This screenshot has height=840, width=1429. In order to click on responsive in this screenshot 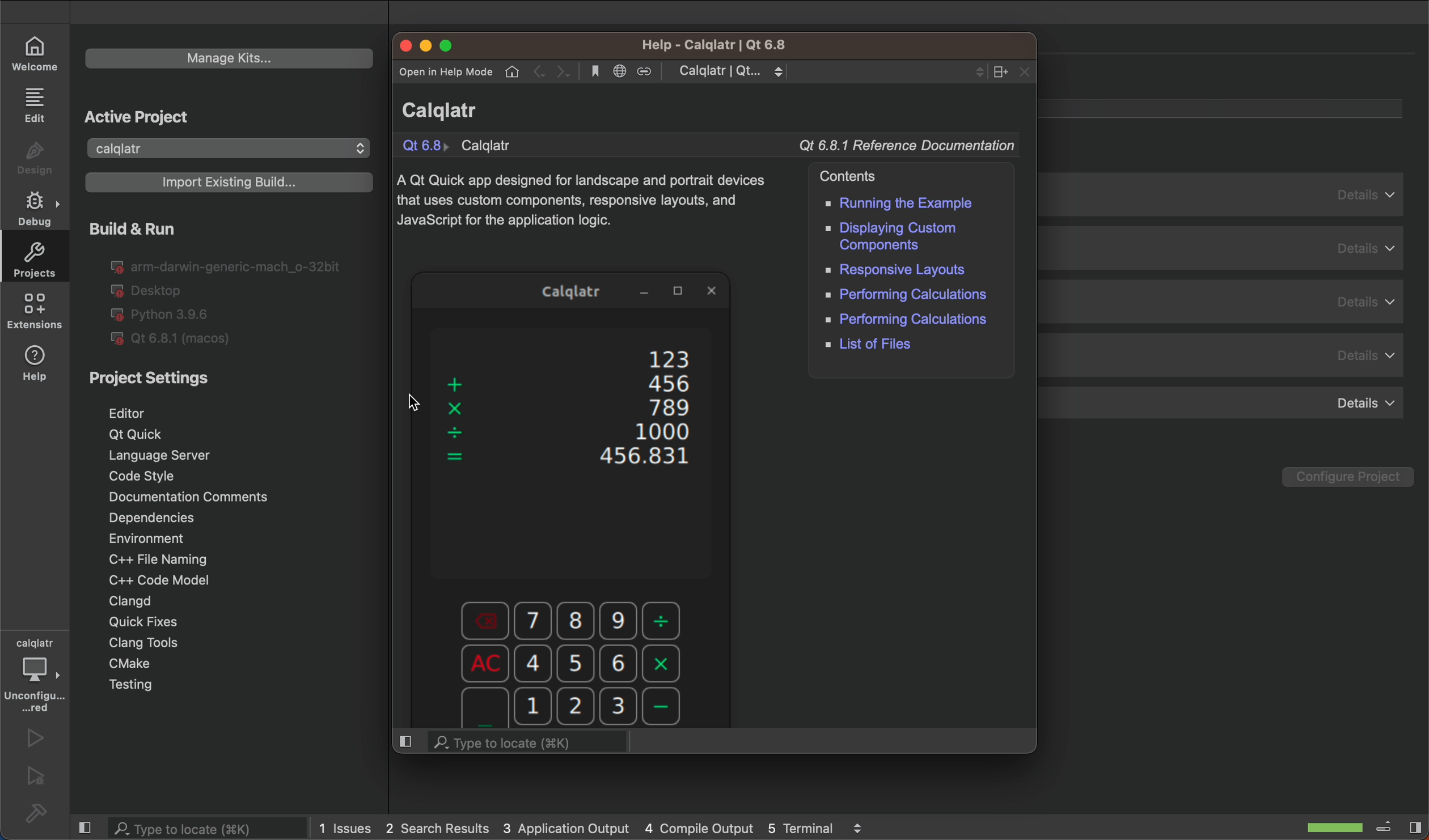, I will do `click(906, 269)`.